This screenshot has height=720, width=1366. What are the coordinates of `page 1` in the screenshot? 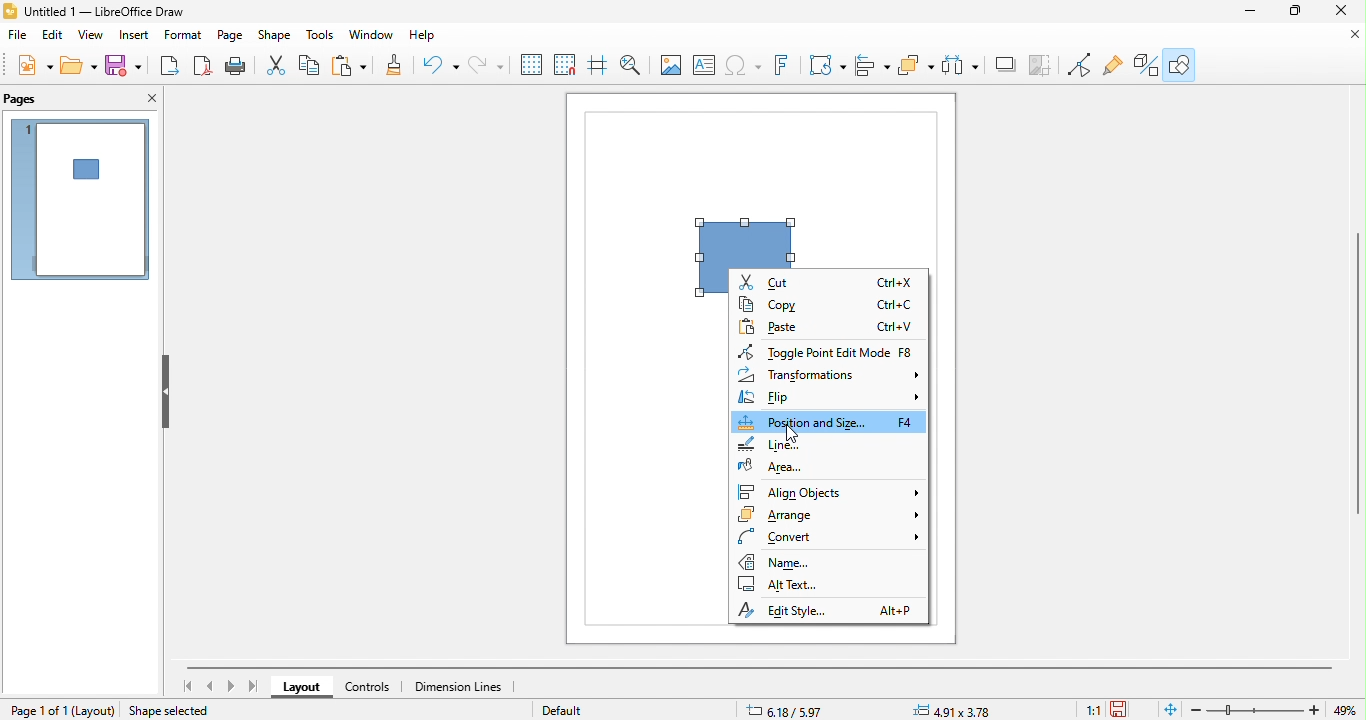 It's located at (80, 199).